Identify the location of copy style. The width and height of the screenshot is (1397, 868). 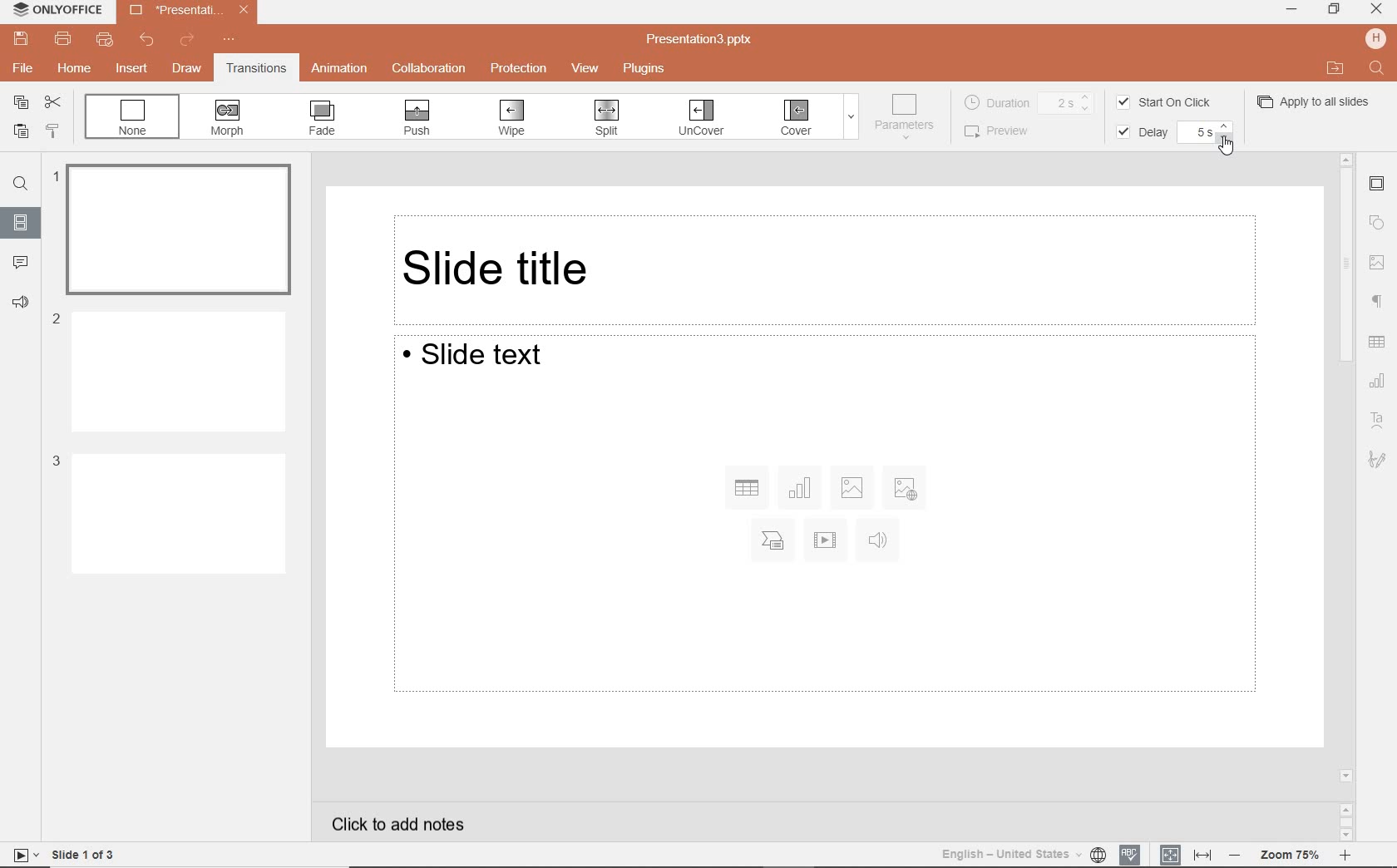
(51, 132).